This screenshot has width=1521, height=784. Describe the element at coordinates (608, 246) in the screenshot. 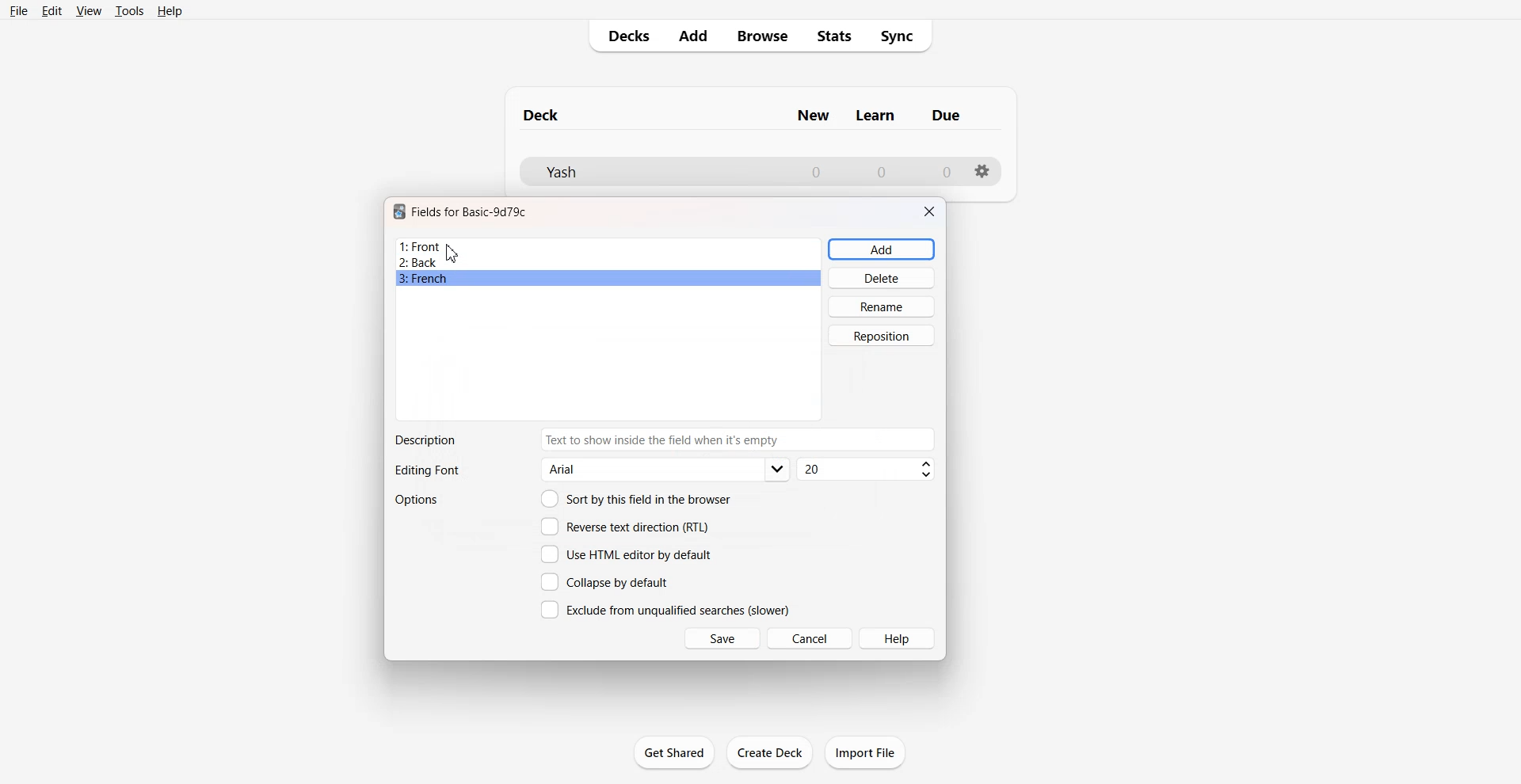

I see `Front` at that location.